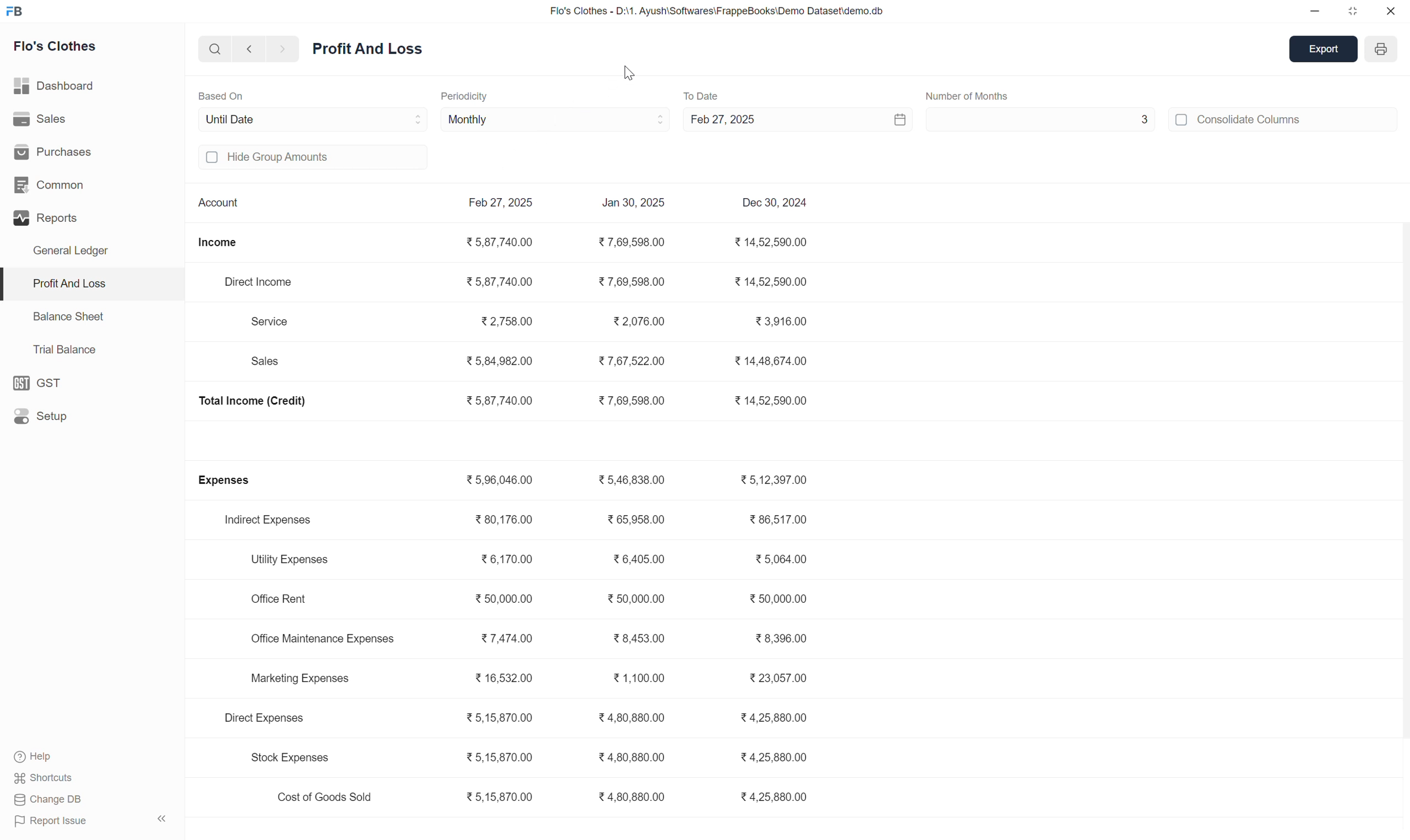 Image resolution: width=1410 pixels, height=840 pixels. Describe the element at coordinates (1316, 9) in the screenshot. I see `minimize` at that location.